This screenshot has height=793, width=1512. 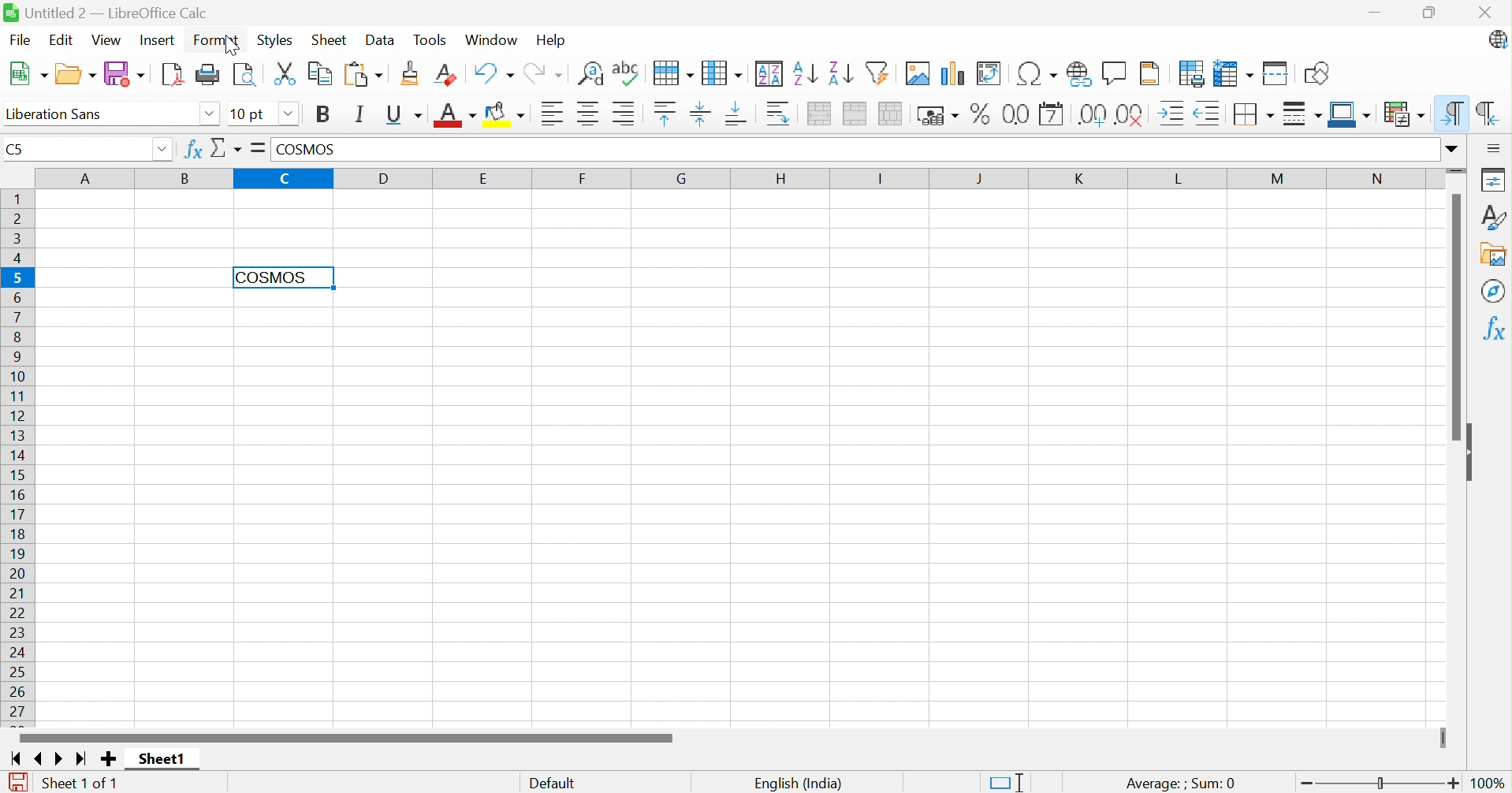 I want to click on Merge and Center or Unmerge cells depending on the current toggle state, so click(x=821, y=114).